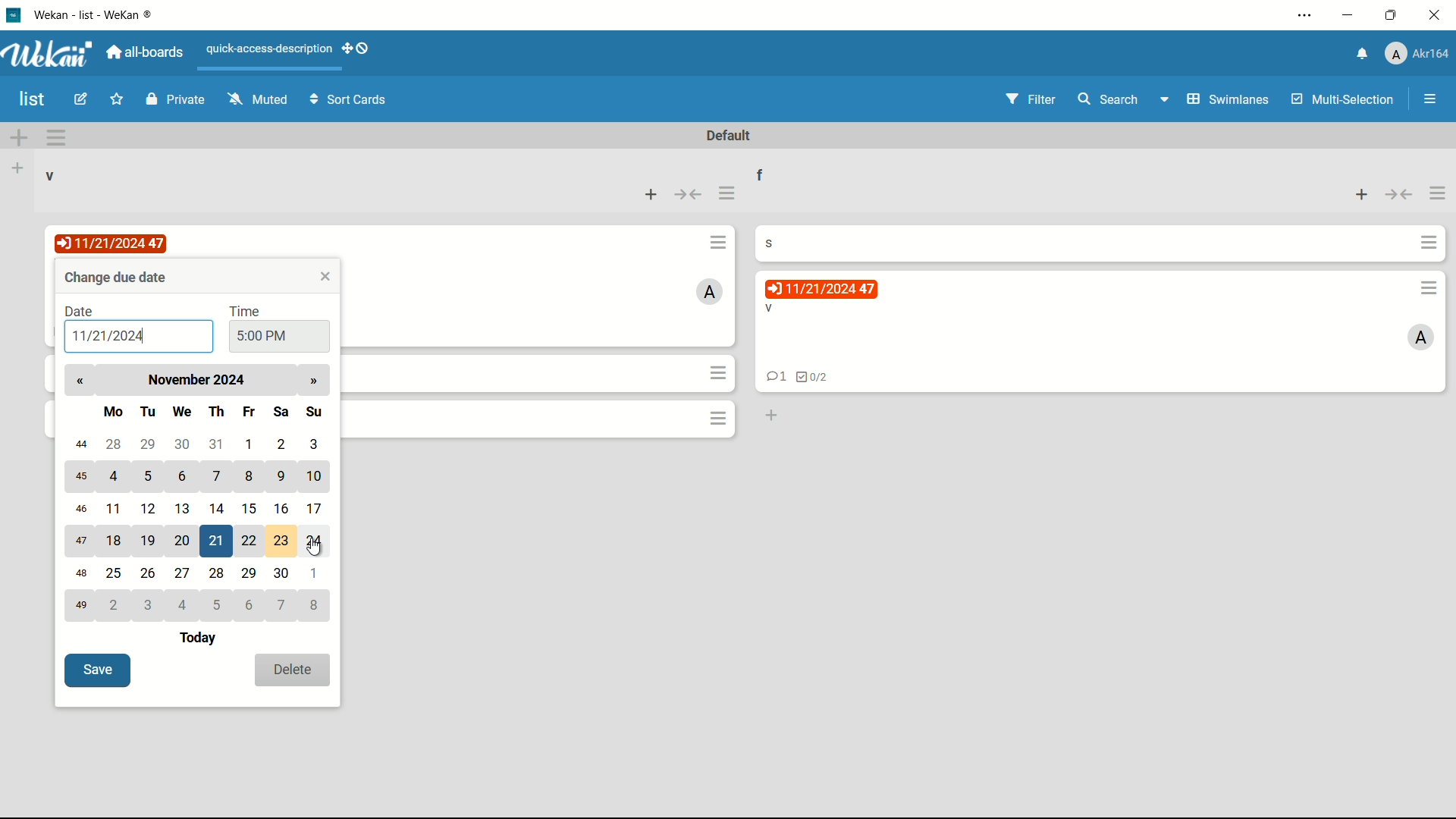 The height and width of the screenshot is (819, 1456). What do you see at coordinates (653, 193) in the screenshot?
I see `add card to top of list` at bounding box center [653, 193].